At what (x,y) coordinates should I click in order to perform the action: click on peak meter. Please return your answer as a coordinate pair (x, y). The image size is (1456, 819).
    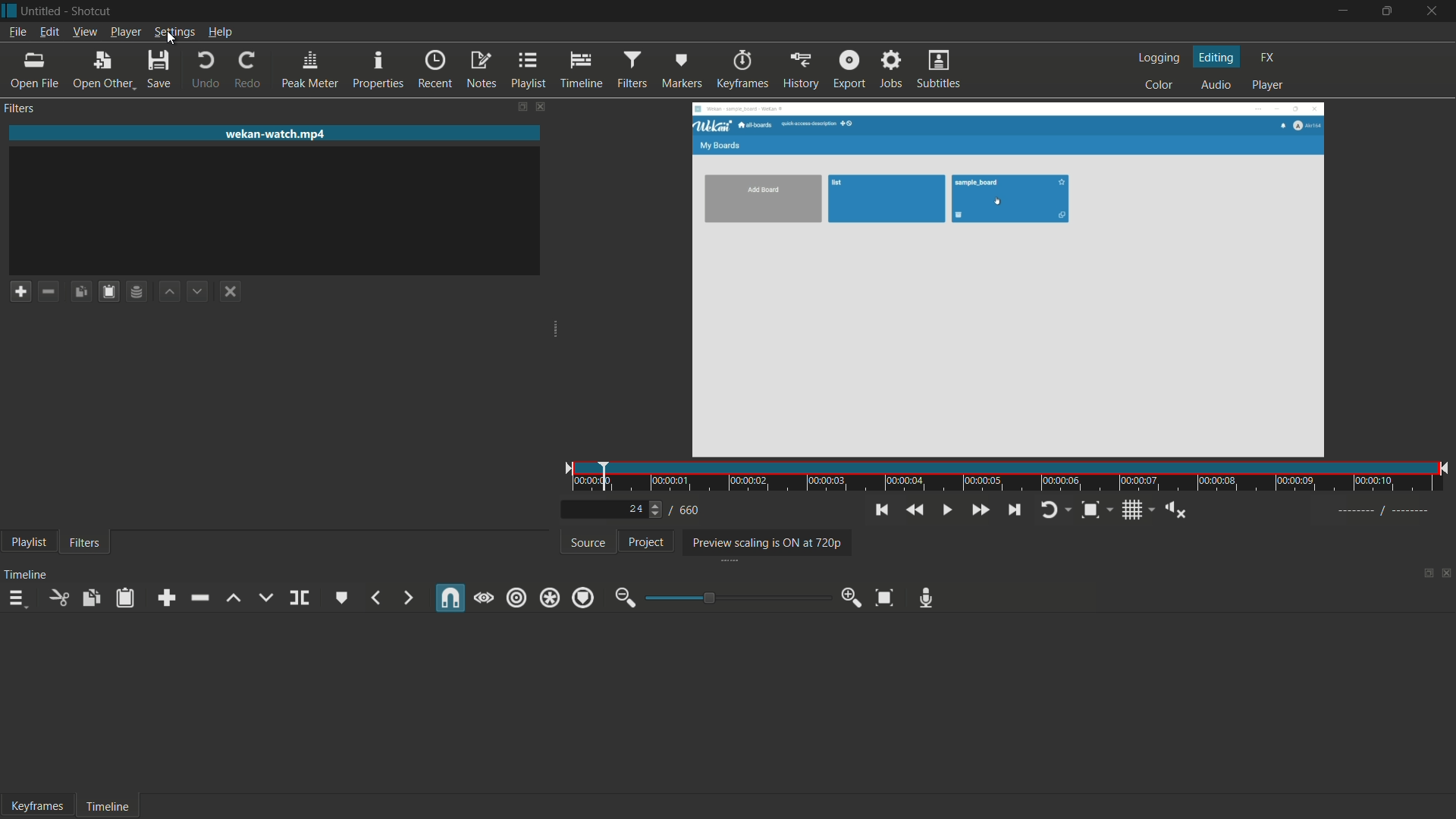
    Looking at the image, I should click on (308, 69).